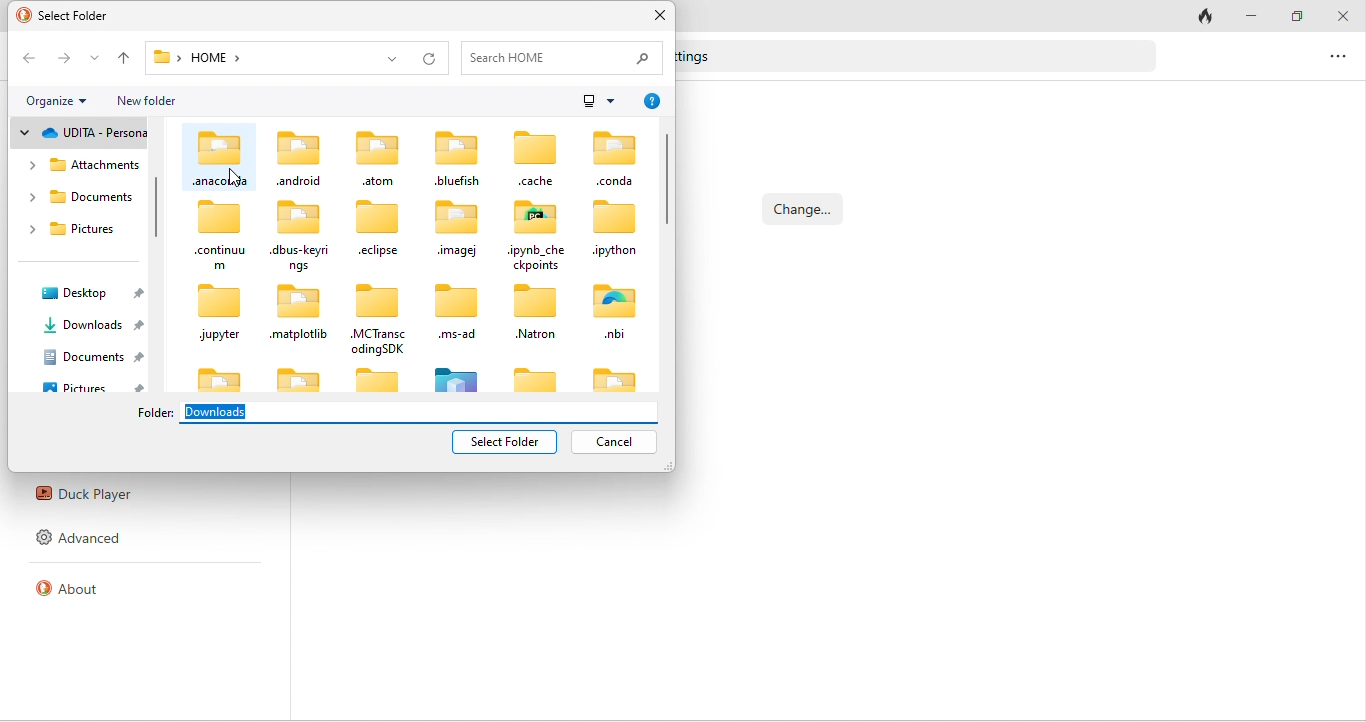  I want to click on desktop, so click(90, 292).